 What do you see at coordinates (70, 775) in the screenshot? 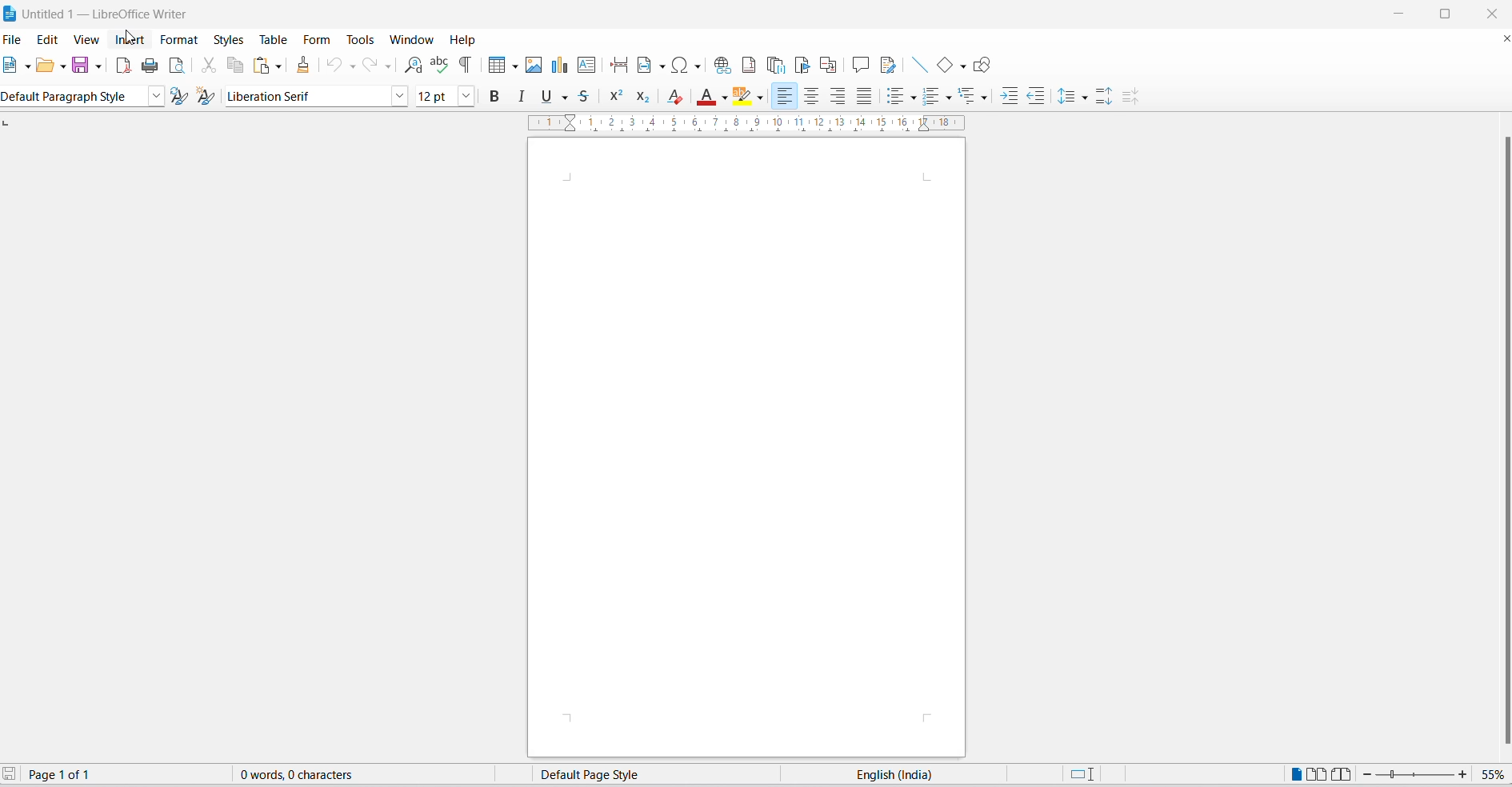
I see `Page 1 of 1` at bounding box center [70, 775].